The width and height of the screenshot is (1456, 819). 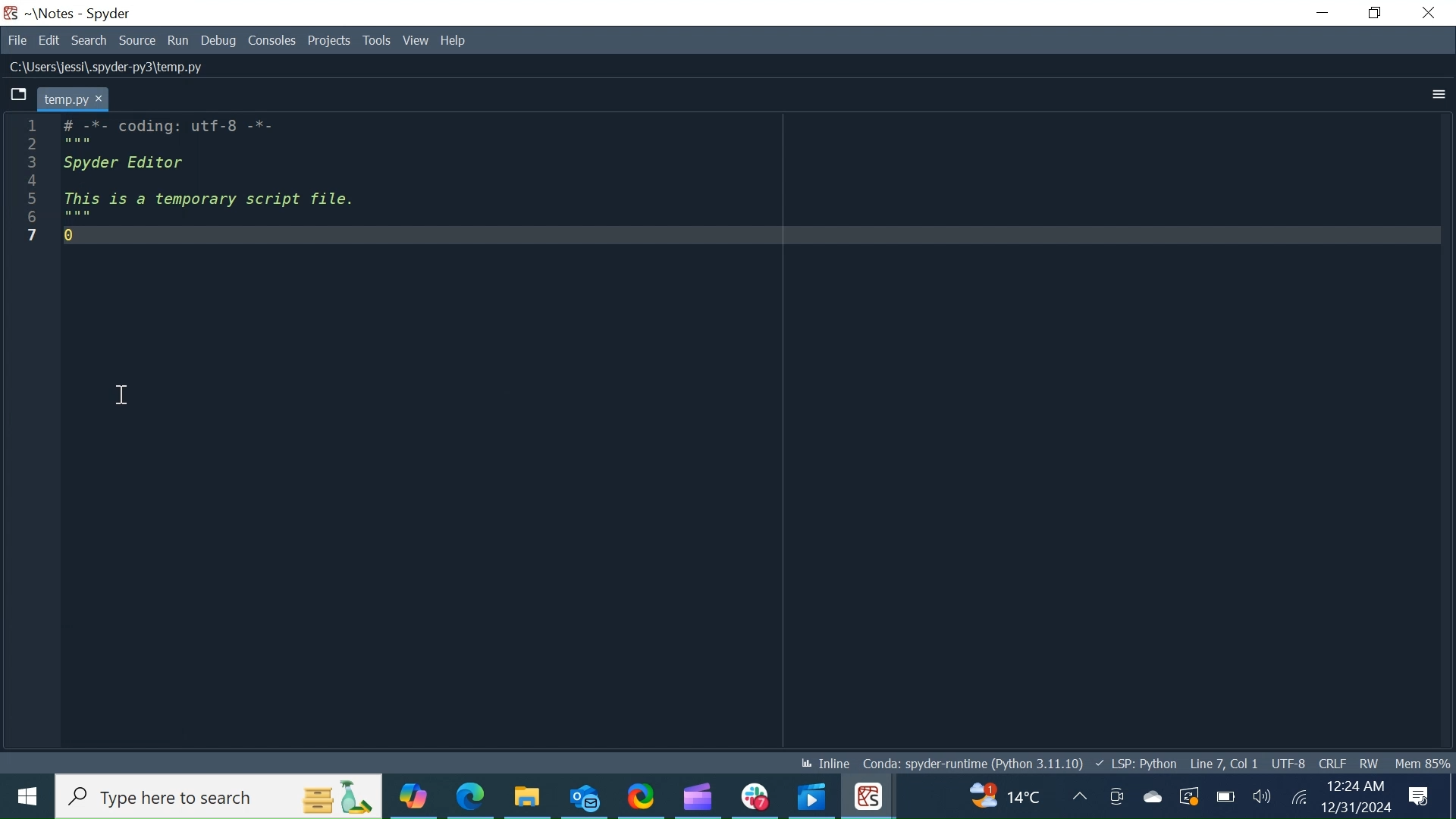 What do you see at coordinates (220, 797) in the screenshot?
I see `Type here search` at bounding box center [220, 797].